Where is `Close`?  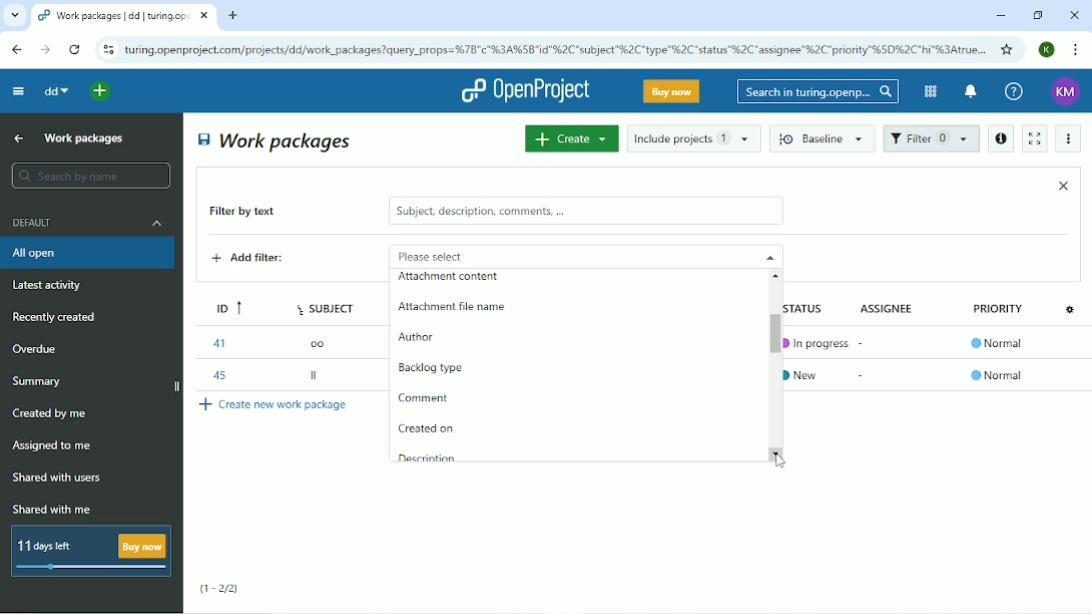 Close is located at coordinates (1074, 15).